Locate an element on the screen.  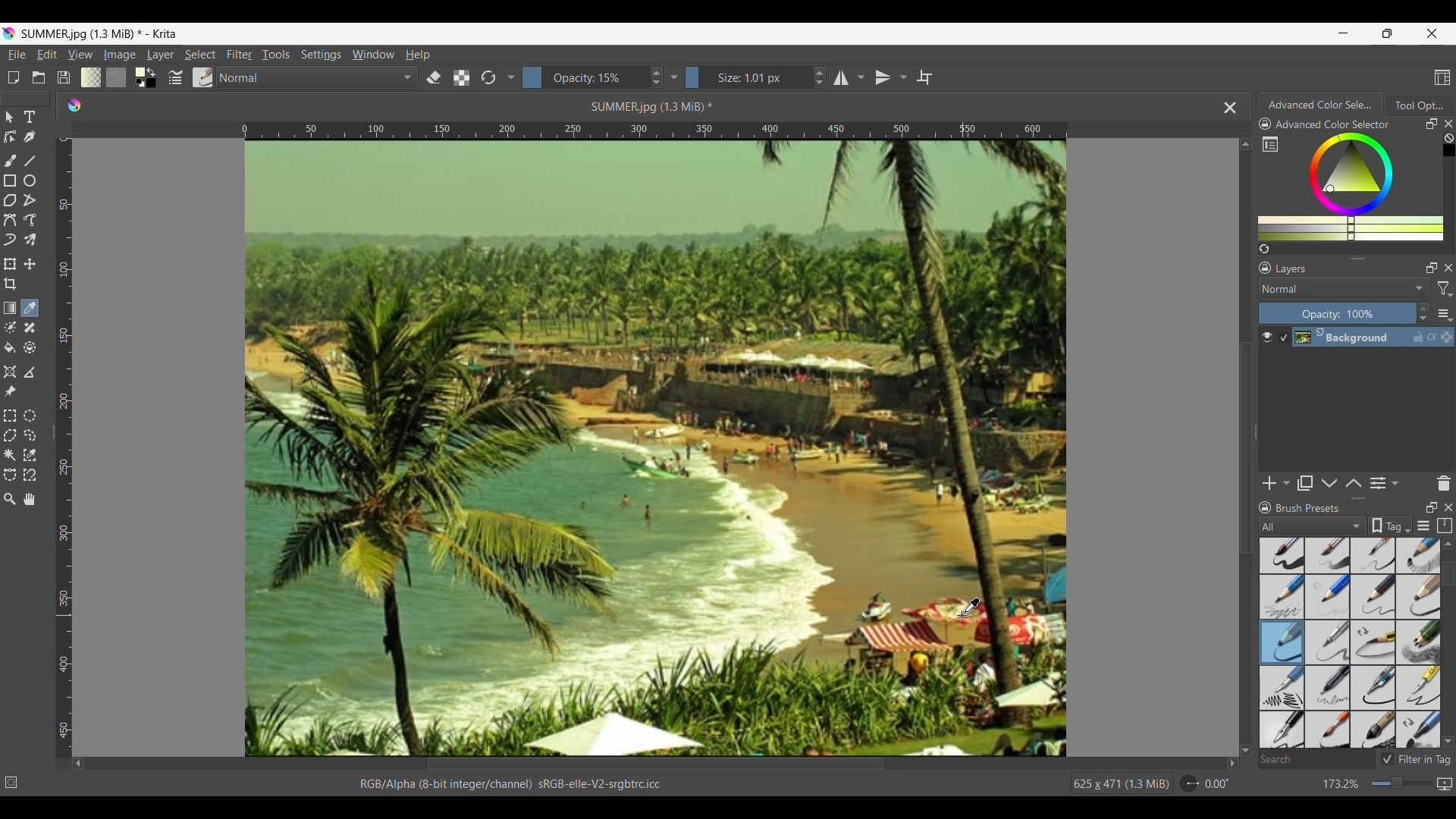
 is located at coordinates (1269, 144).